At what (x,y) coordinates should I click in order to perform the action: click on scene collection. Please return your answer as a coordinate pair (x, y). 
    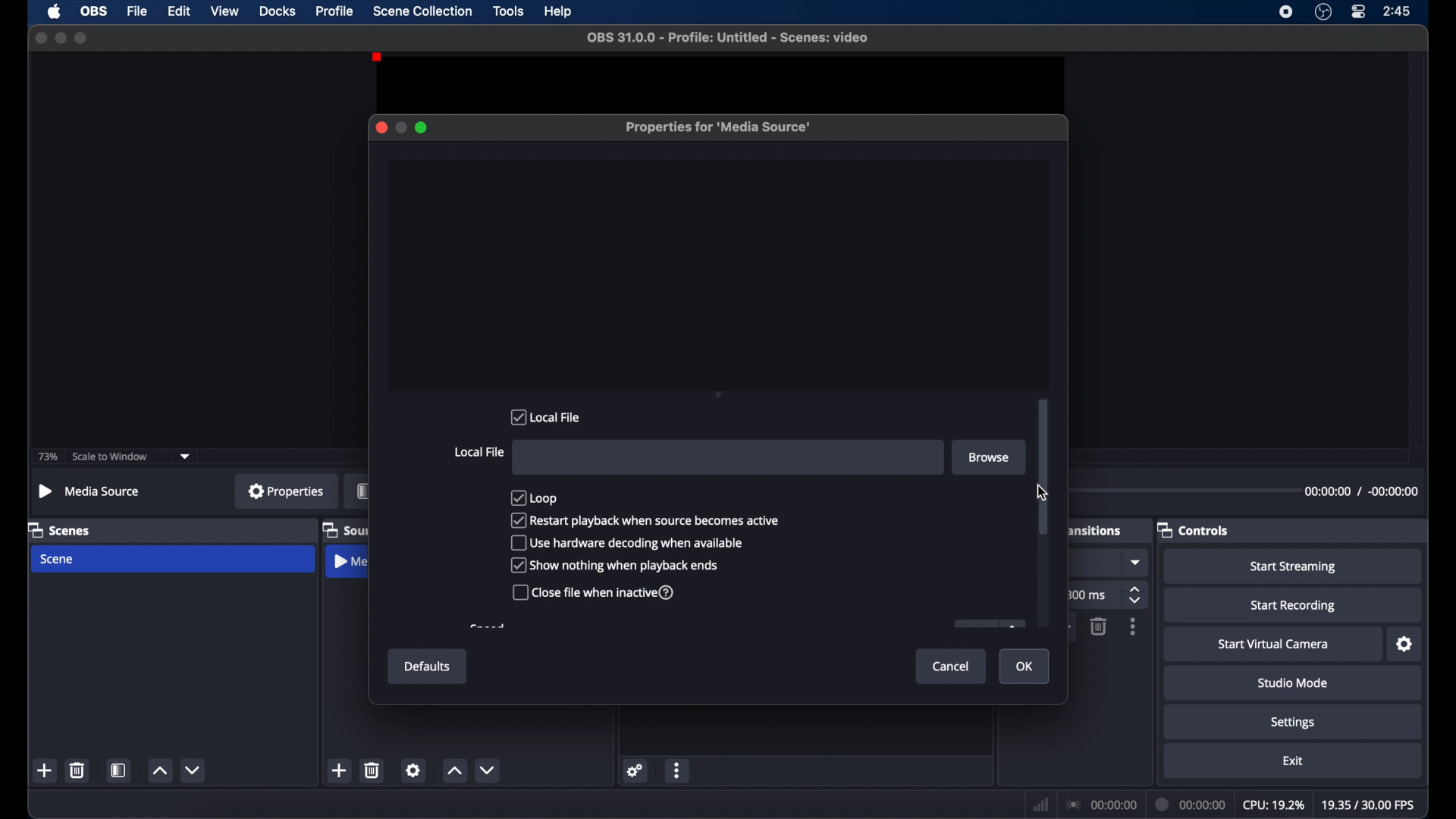
    Looking at the image, I should click on (422, 11).